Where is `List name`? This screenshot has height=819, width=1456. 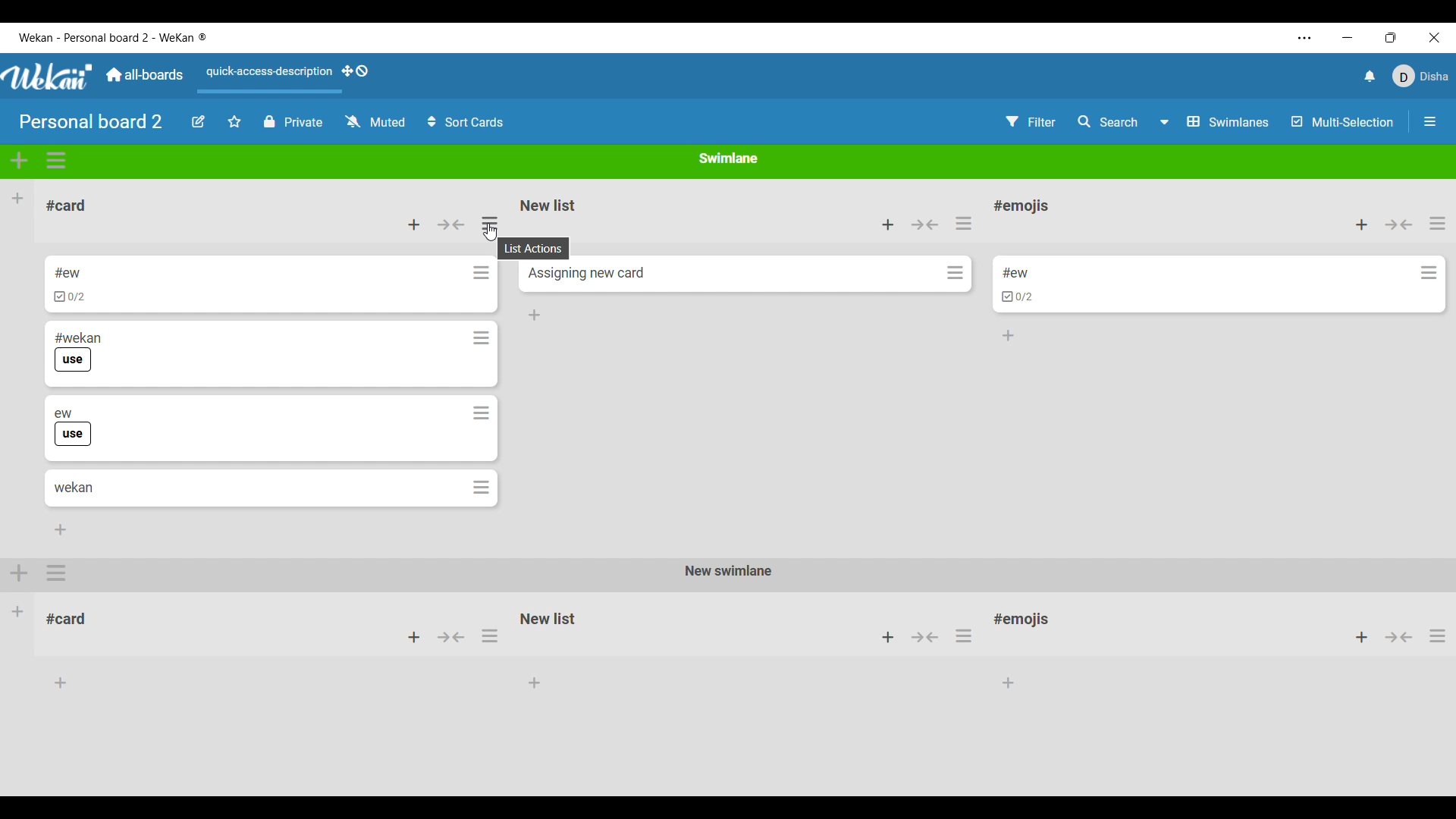
List name is located at coordinates (67, 206).